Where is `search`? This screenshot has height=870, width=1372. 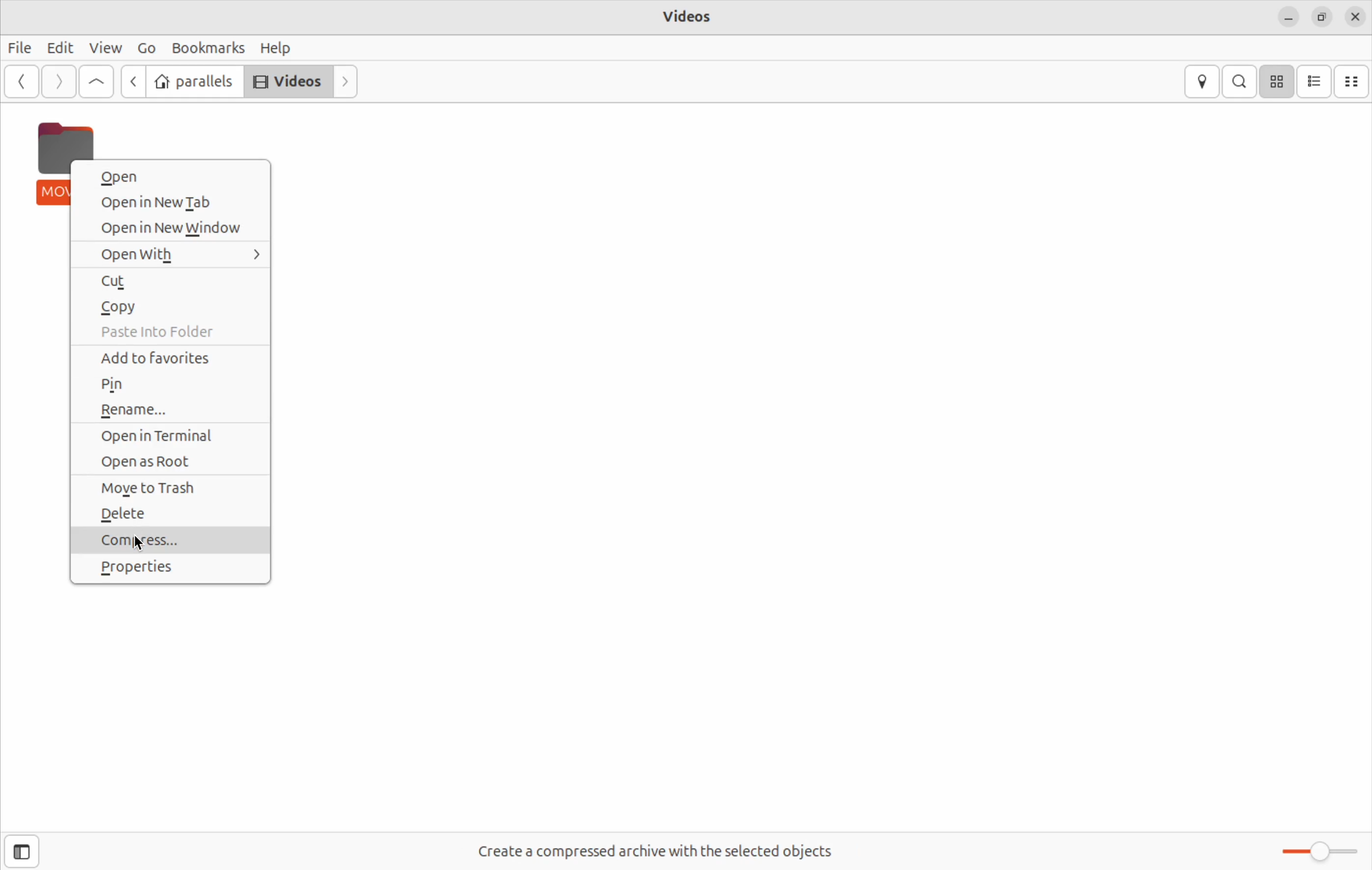
search is located at coordinates (1239, 80).